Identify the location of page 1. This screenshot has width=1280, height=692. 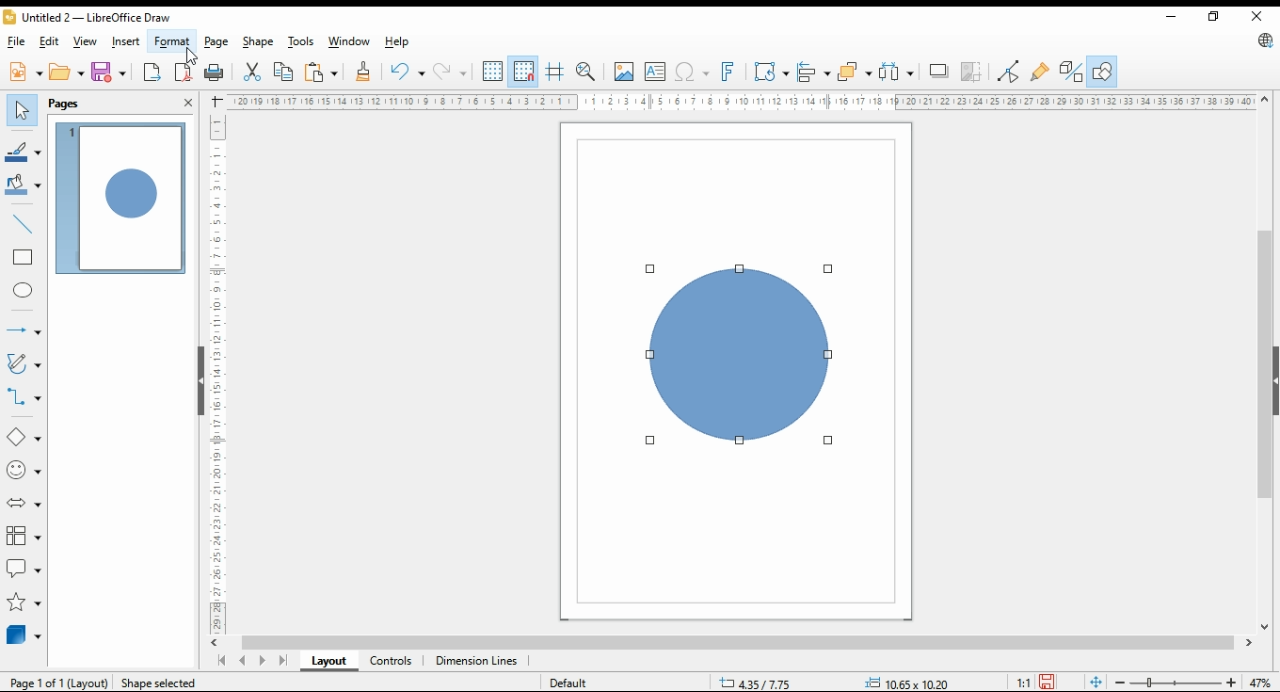
(123, 199).